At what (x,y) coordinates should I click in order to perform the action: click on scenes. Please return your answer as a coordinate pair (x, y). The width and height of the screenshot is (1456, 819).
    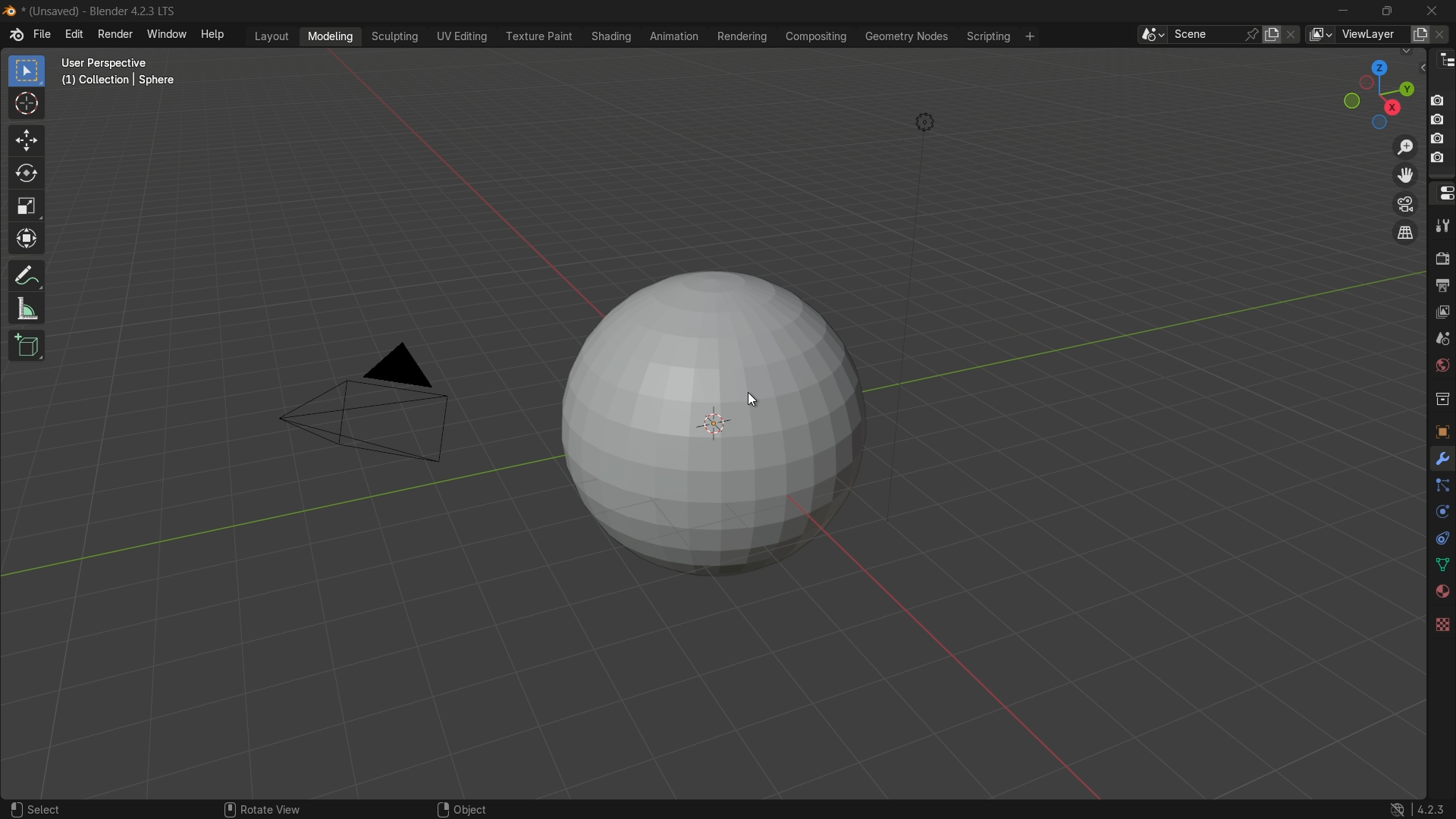
    Looking at the image, I should click on (1442, 340).